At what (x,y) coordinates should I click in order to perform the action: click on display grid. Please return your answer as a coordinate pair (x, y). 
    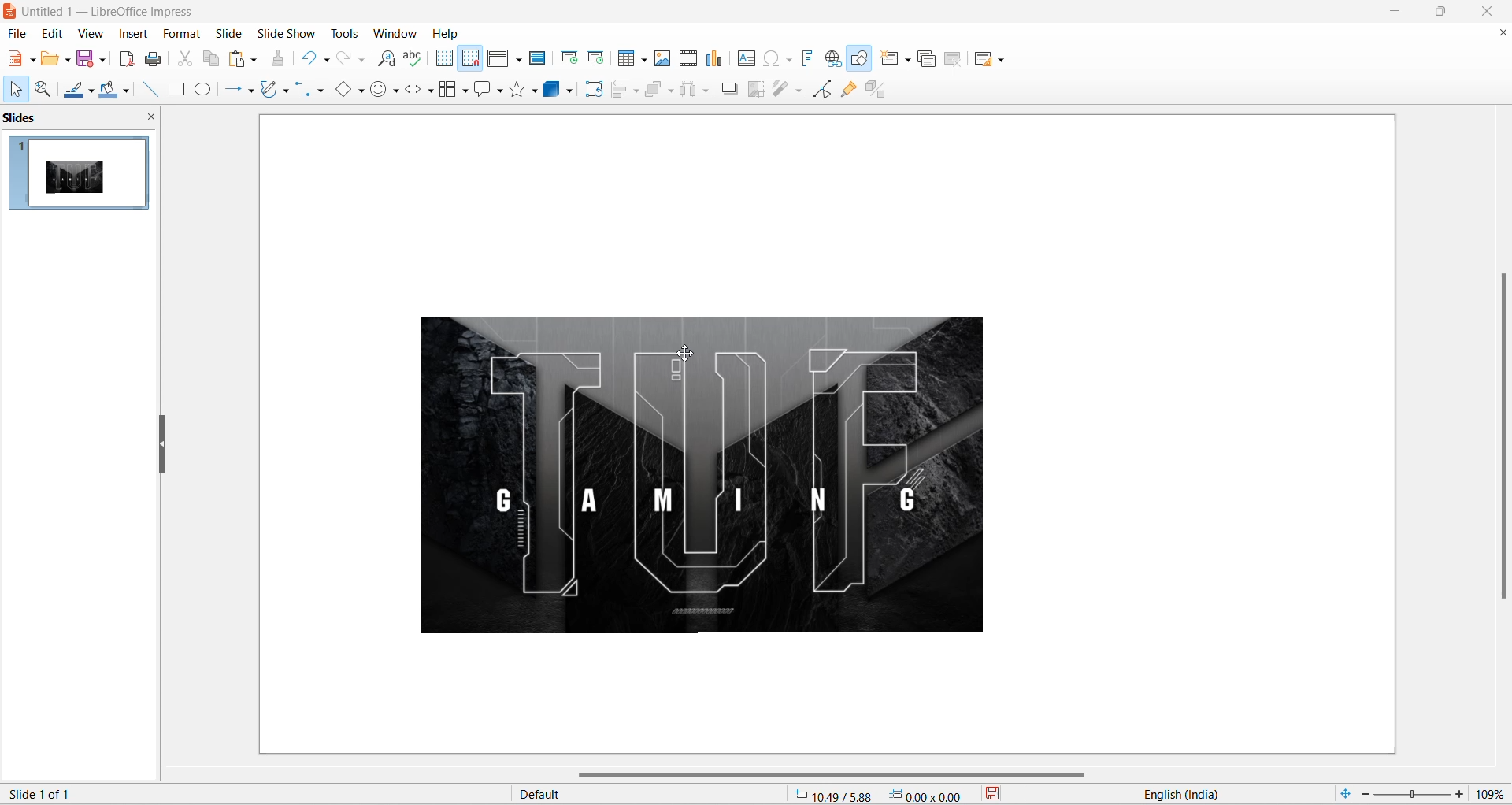
    Looking at the image, I should click on (443, 57).